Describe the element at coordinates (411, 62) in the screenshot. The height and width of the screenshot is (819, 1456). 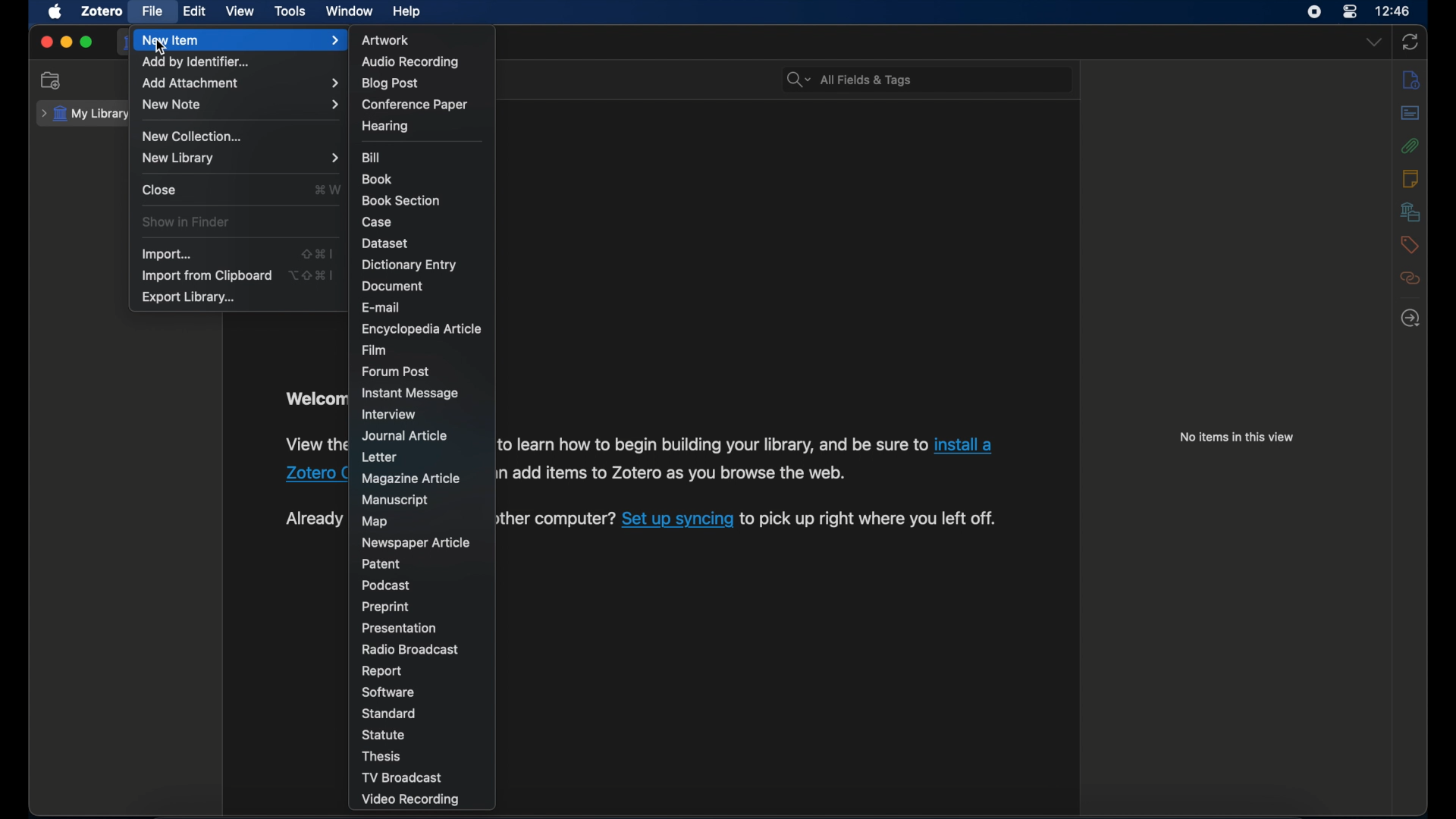
I see `audio recording` at that location.